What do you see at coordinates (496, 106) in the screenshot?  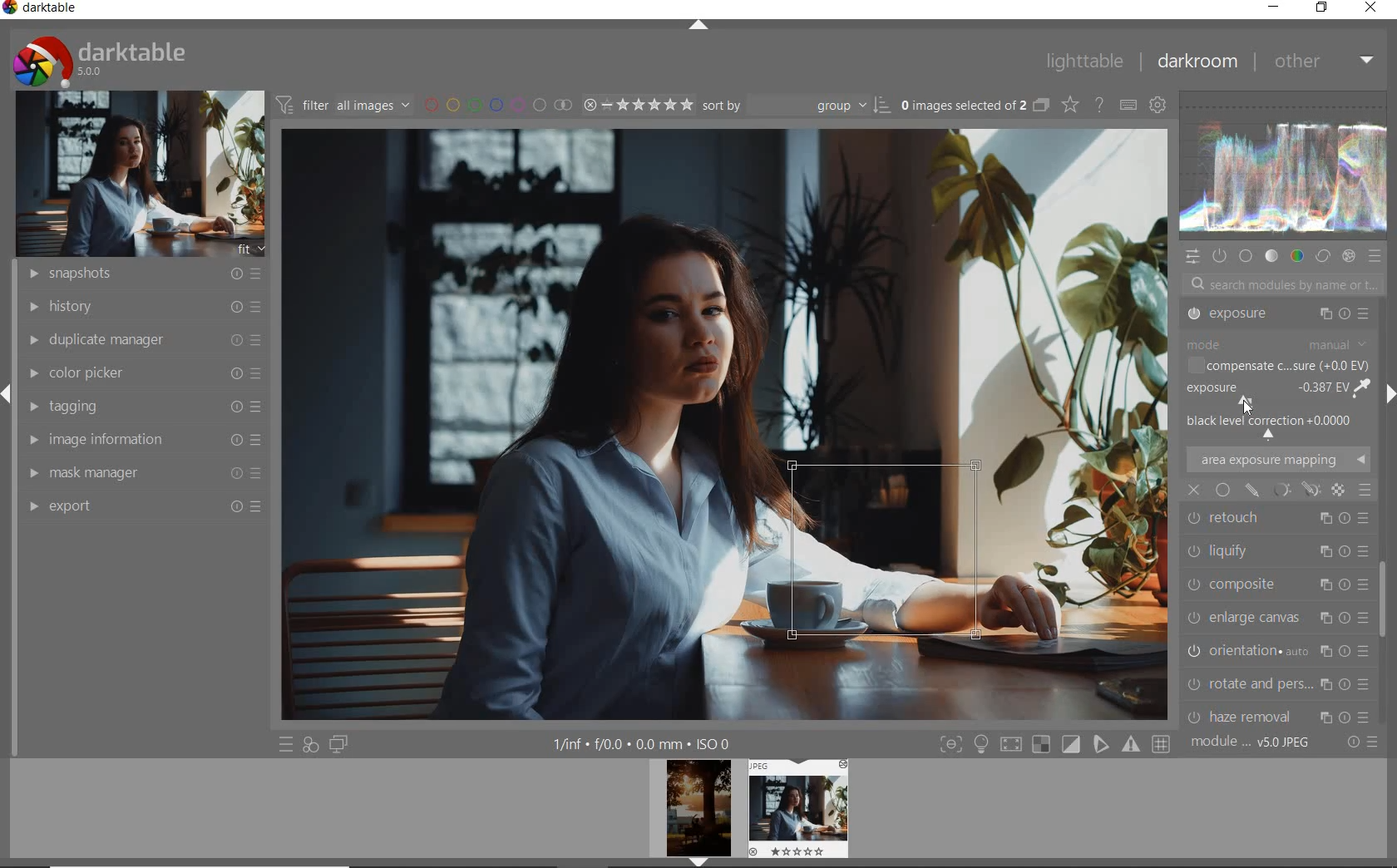 I see `FILTER BY IMAGE COLOR LABEL` at bounding box center [496, 106].